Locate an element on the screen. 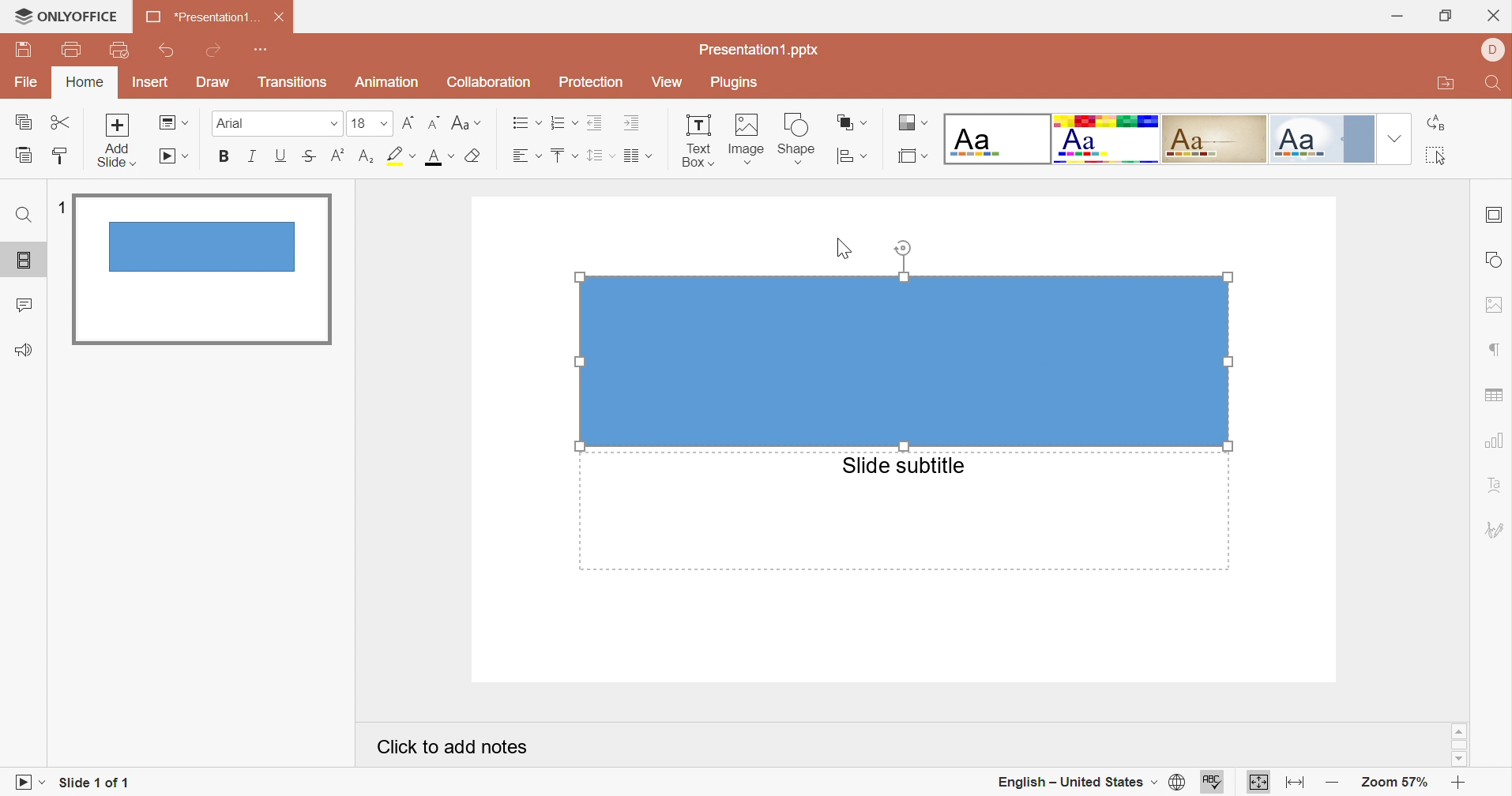  File is located at coordinates (28, 80).